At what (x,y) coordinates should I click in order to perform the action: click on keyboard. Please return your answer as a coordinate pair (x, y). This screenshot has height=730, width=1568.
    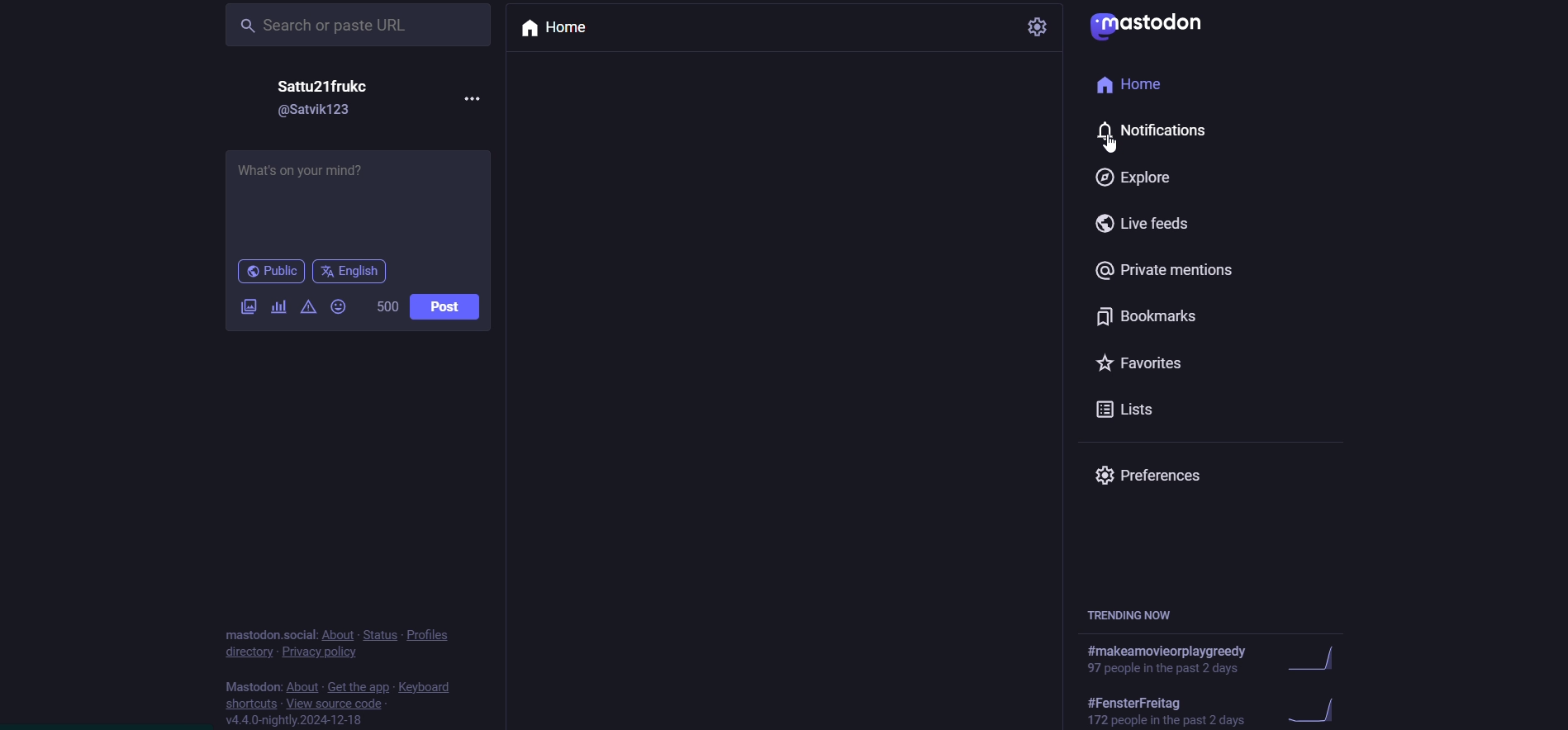
    Looking at the image, I should click on (426, 686).